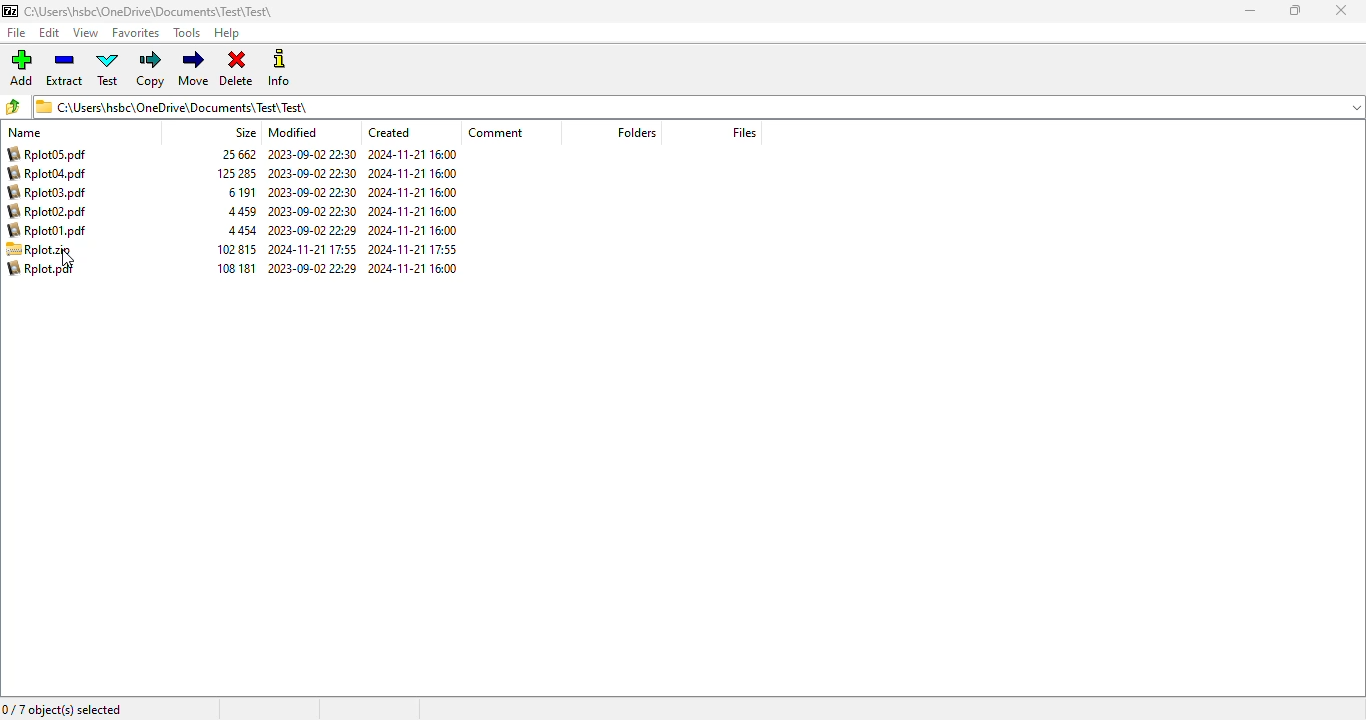 The width and height of the screenshot is (1366, 720). I want to click on name, so click(24, 133).